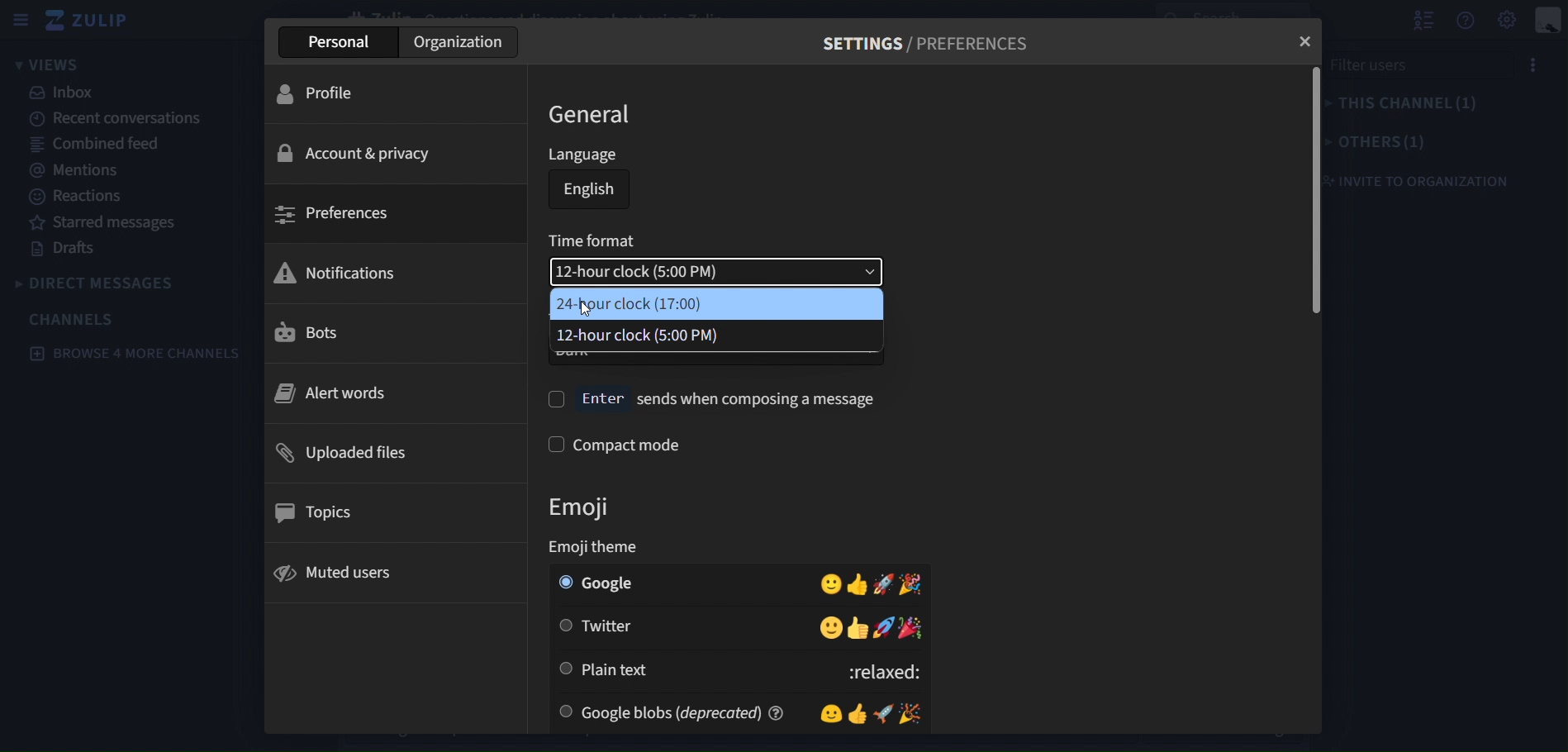  Describe the element at coordinates (1379, 143) in the screenshot. I see `others(1)` at that location.